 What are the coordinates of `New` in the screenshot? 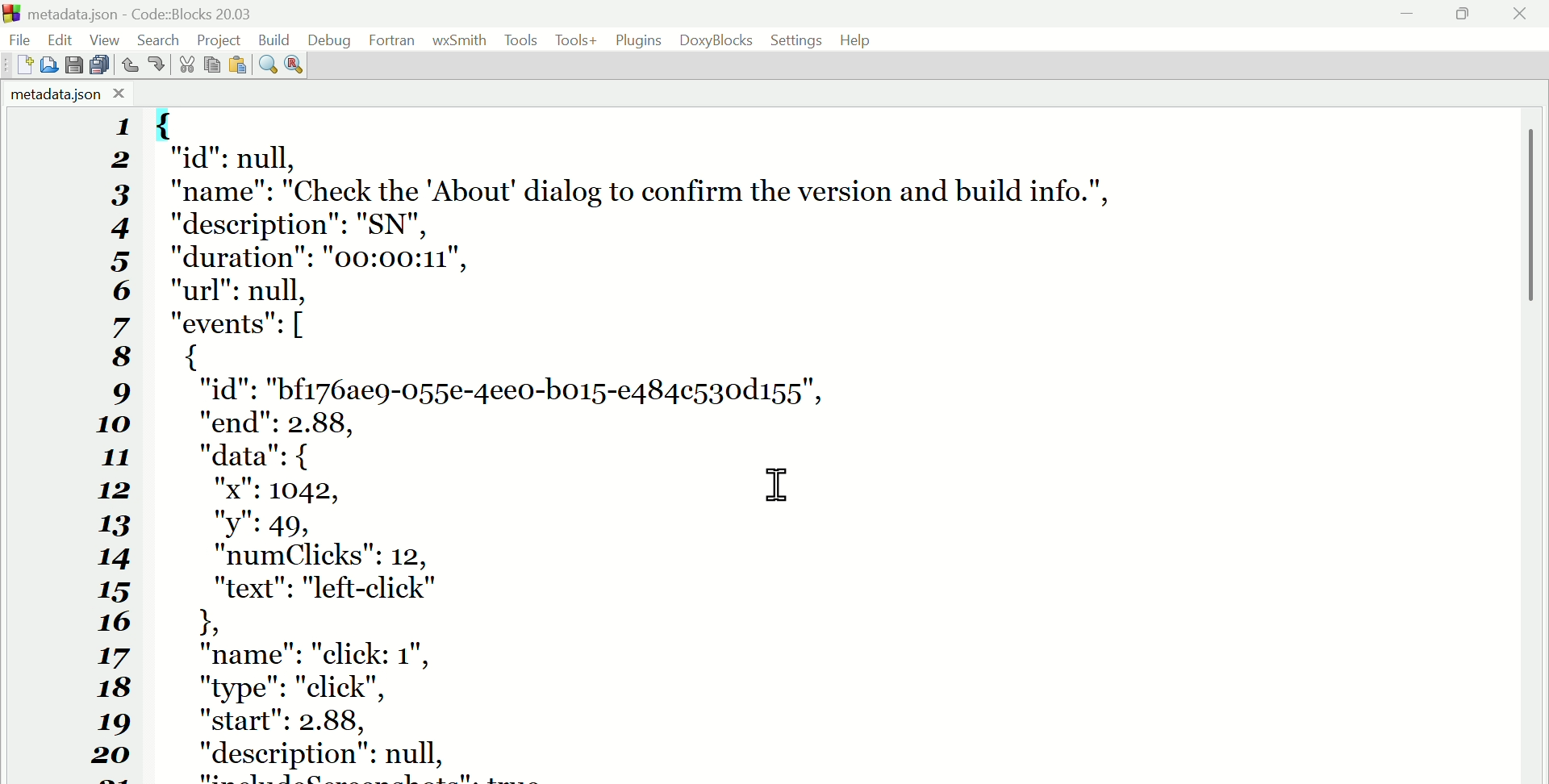 It's located at (19, 67).